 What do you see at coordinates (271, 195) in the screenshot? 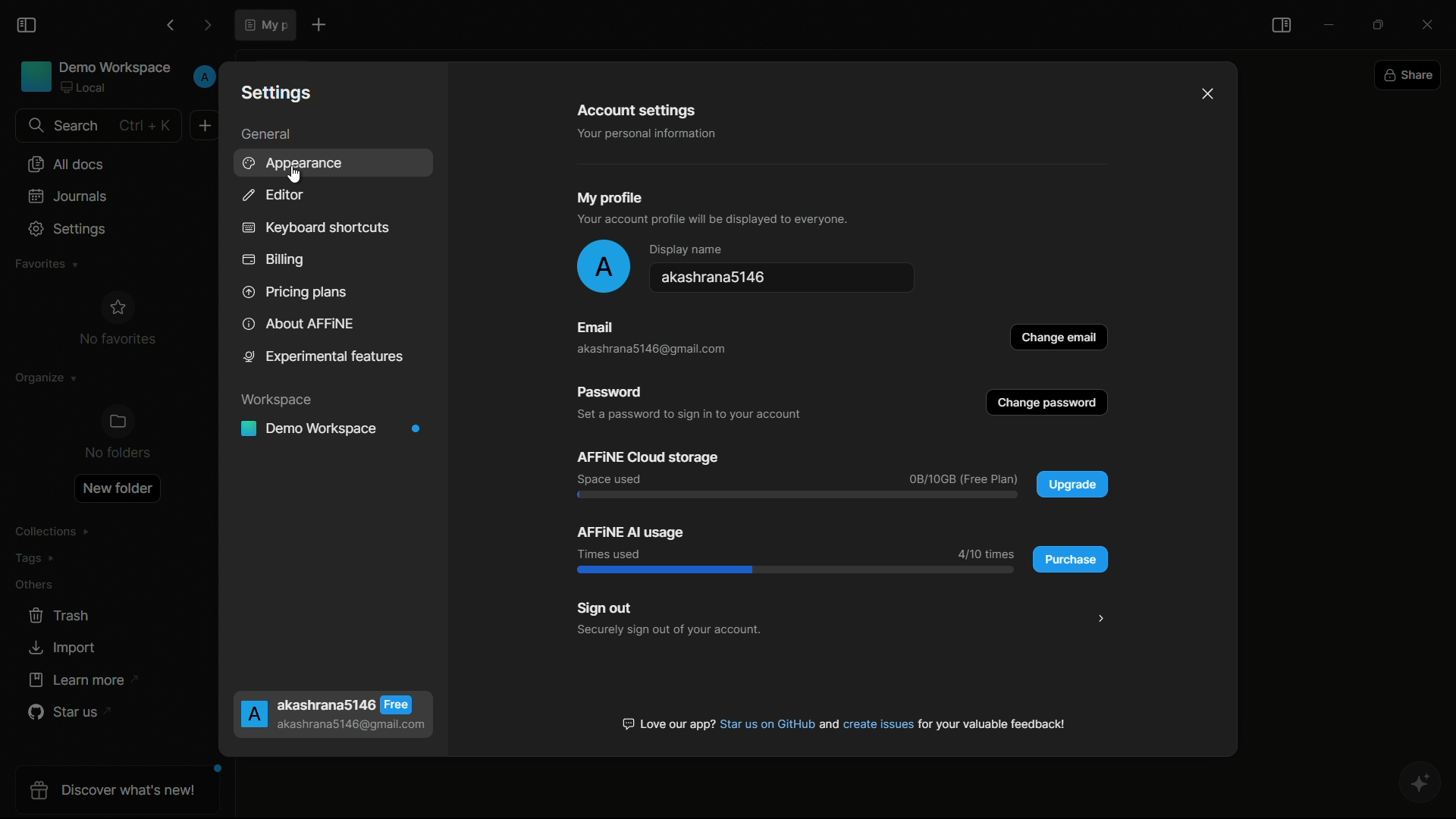
I see `editor` at bounding box center [271, 195].